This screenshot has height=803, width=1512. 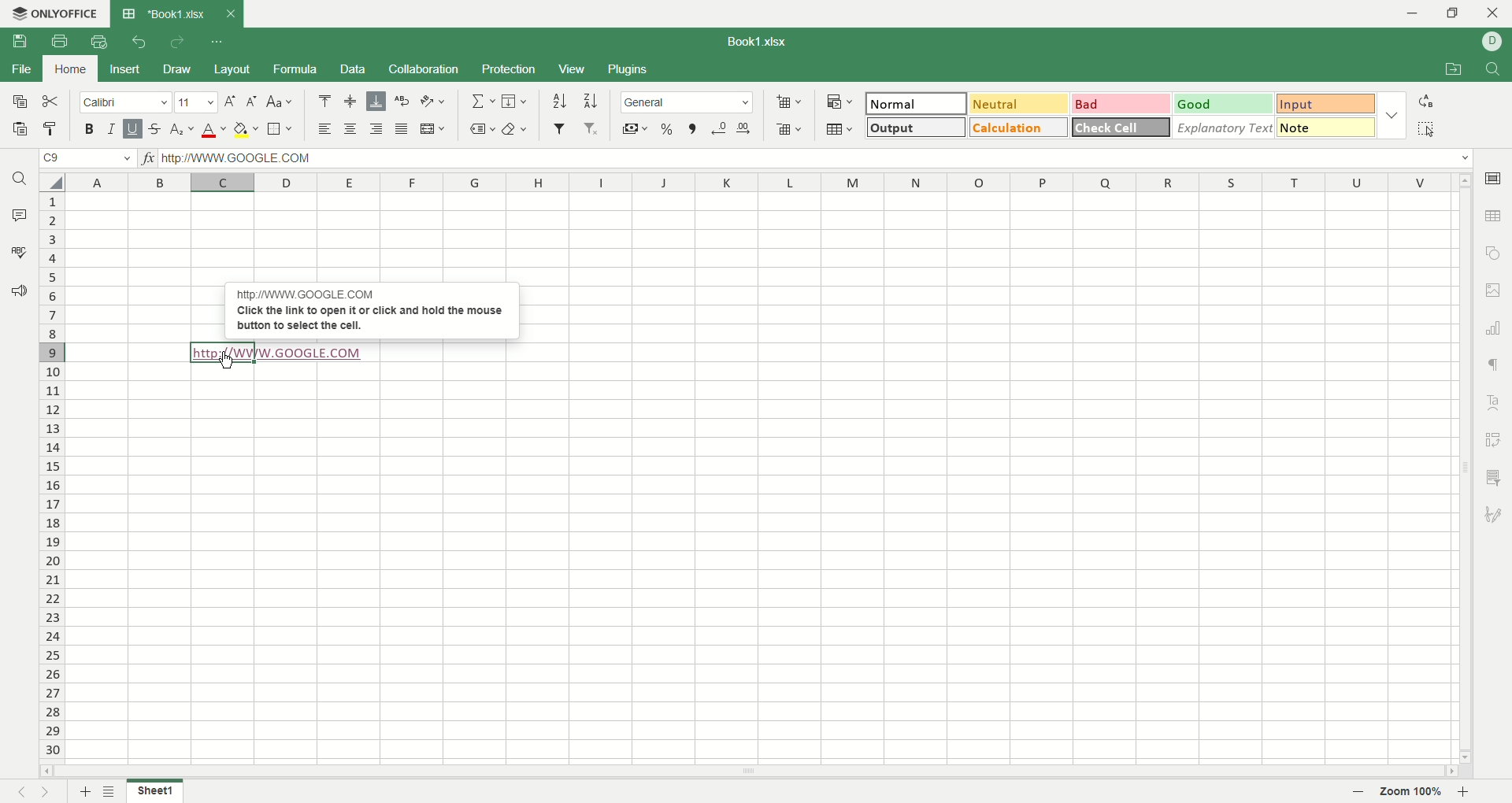 What do you see at coordinates (154, 792) in the screenshot?
I see `sheet` at bounding box center [154, 792].